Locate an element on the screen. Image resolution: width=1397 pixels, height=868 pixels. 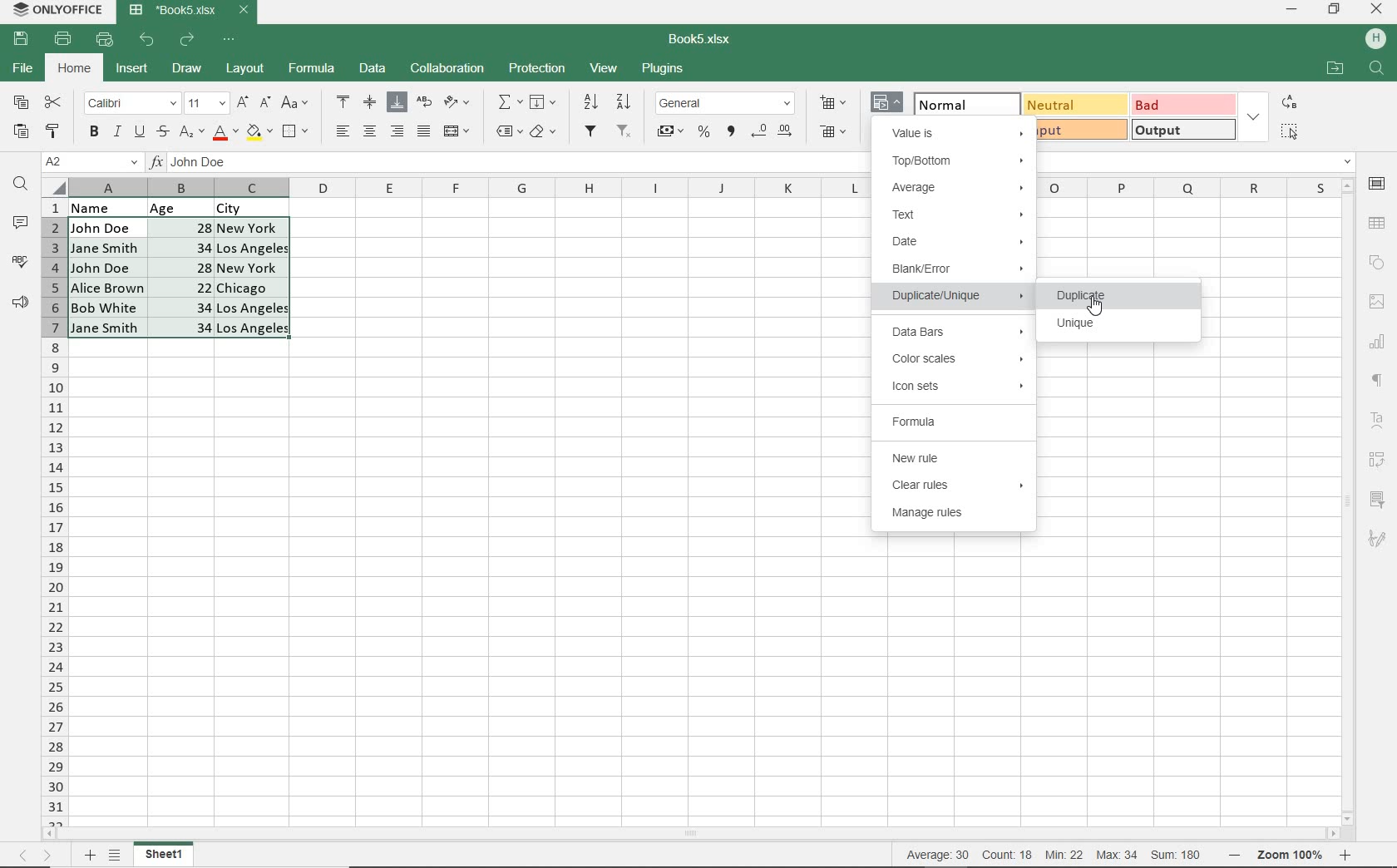
INCREMENT FONT SIZE is located at coordinates (243, 102).